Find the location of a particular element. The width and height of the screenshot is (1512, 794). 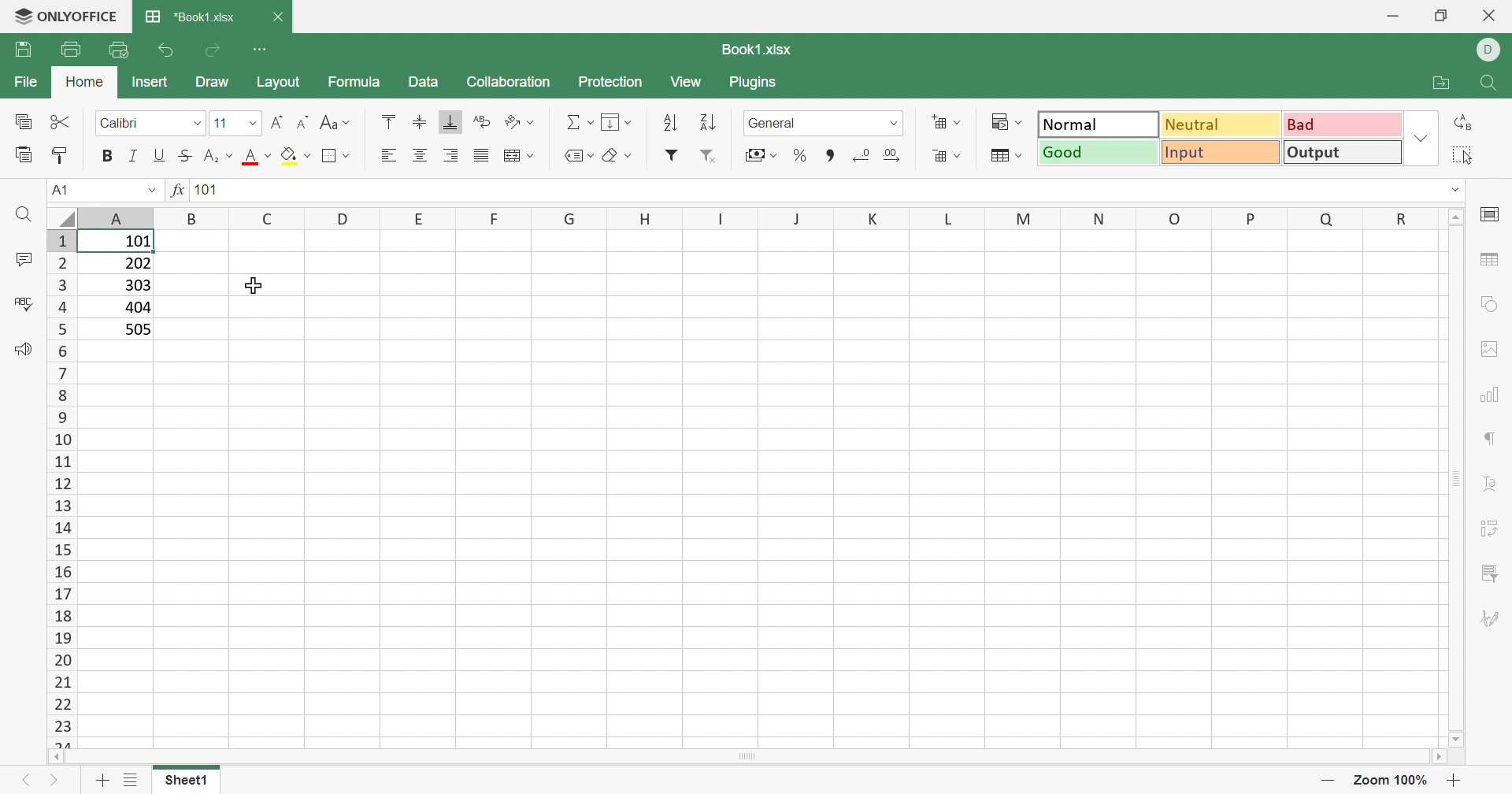

chart settings is located at coordinates (1495, 396).